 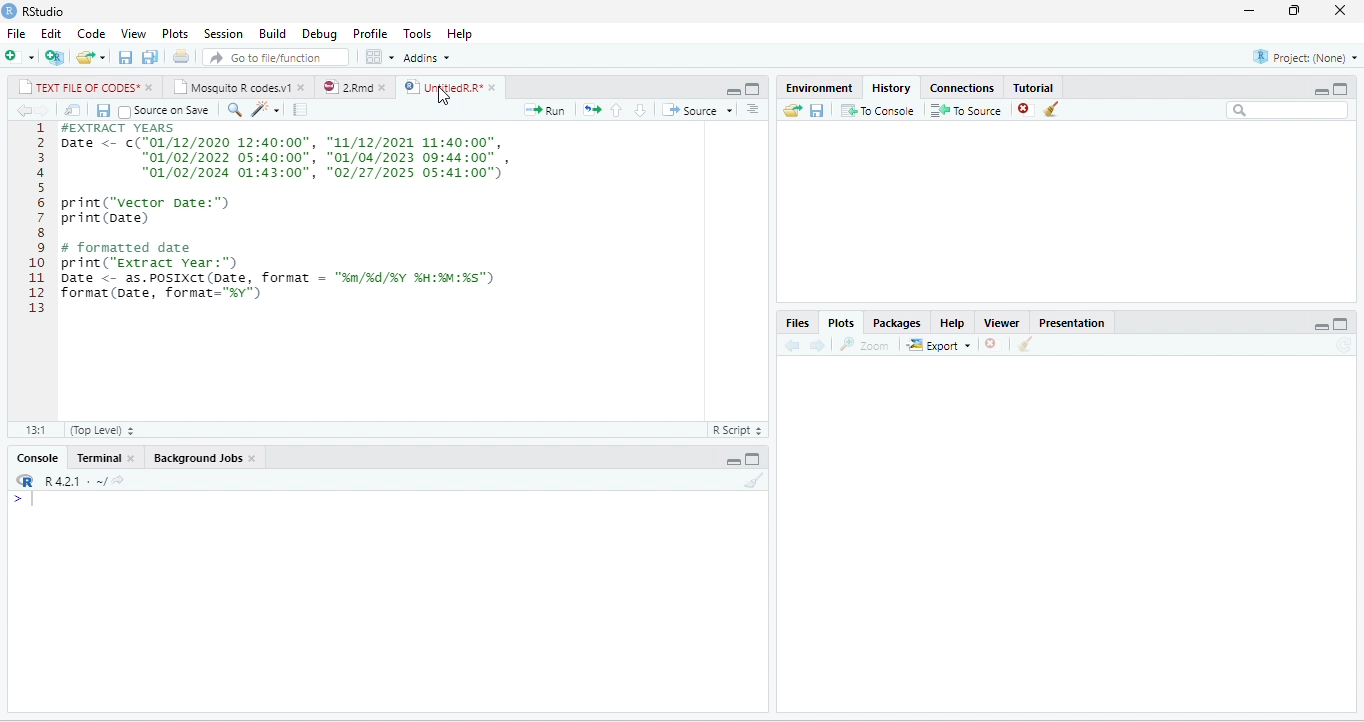 I want to click on #EXTRACT YEARS, so click(x=113, y=128).